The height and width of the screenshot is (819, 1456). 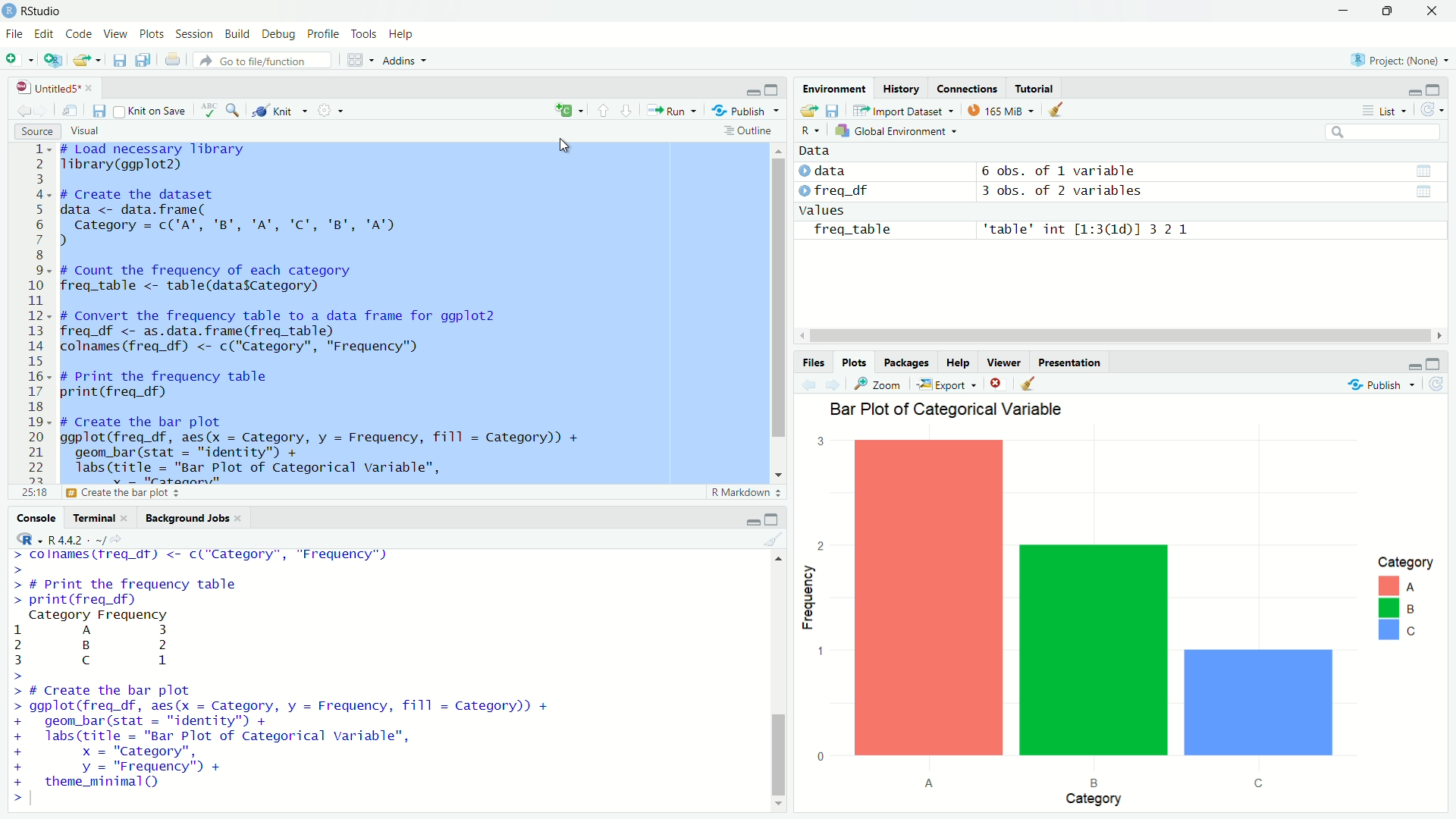 What do you see at coordinates (777, 89) in the screenshot?
I see `maximize` at bounding box center [777, 89].